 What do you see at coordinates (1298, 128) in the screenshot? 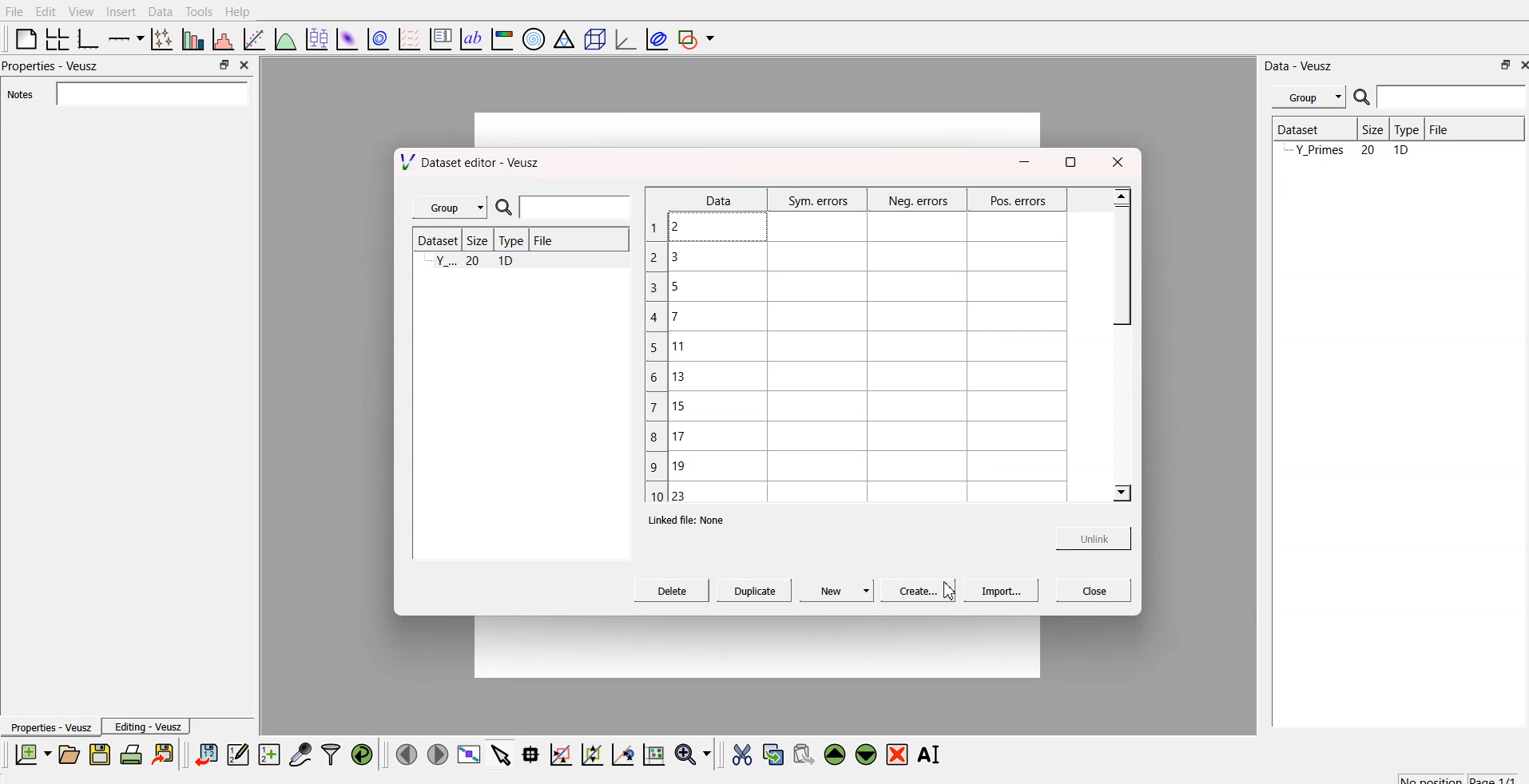
I see `| Dataset` at bounding box center [1298, 128].